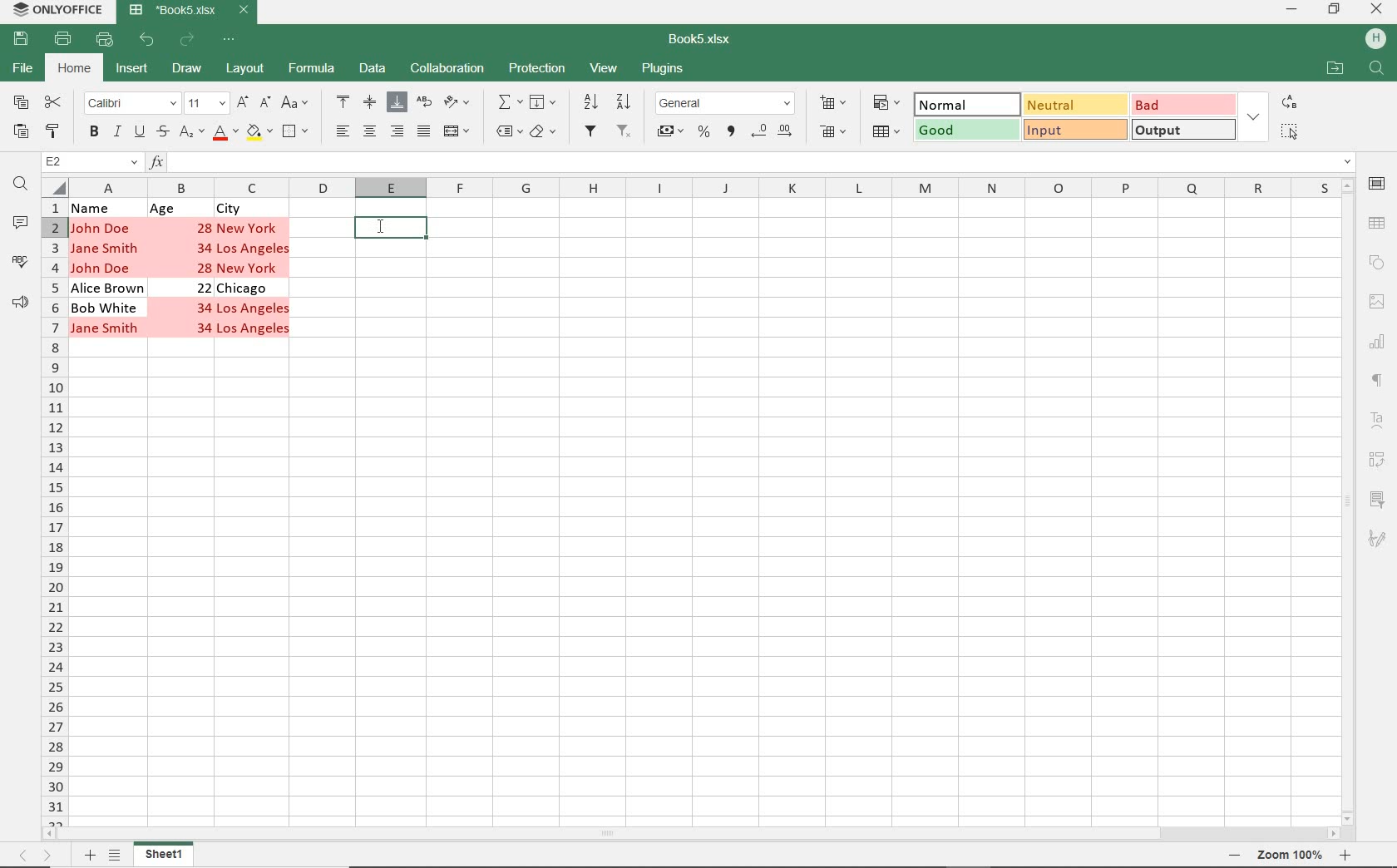 This screenshot has width=1397, height=868. I want to click on IMAGE, so click(1376, 299).